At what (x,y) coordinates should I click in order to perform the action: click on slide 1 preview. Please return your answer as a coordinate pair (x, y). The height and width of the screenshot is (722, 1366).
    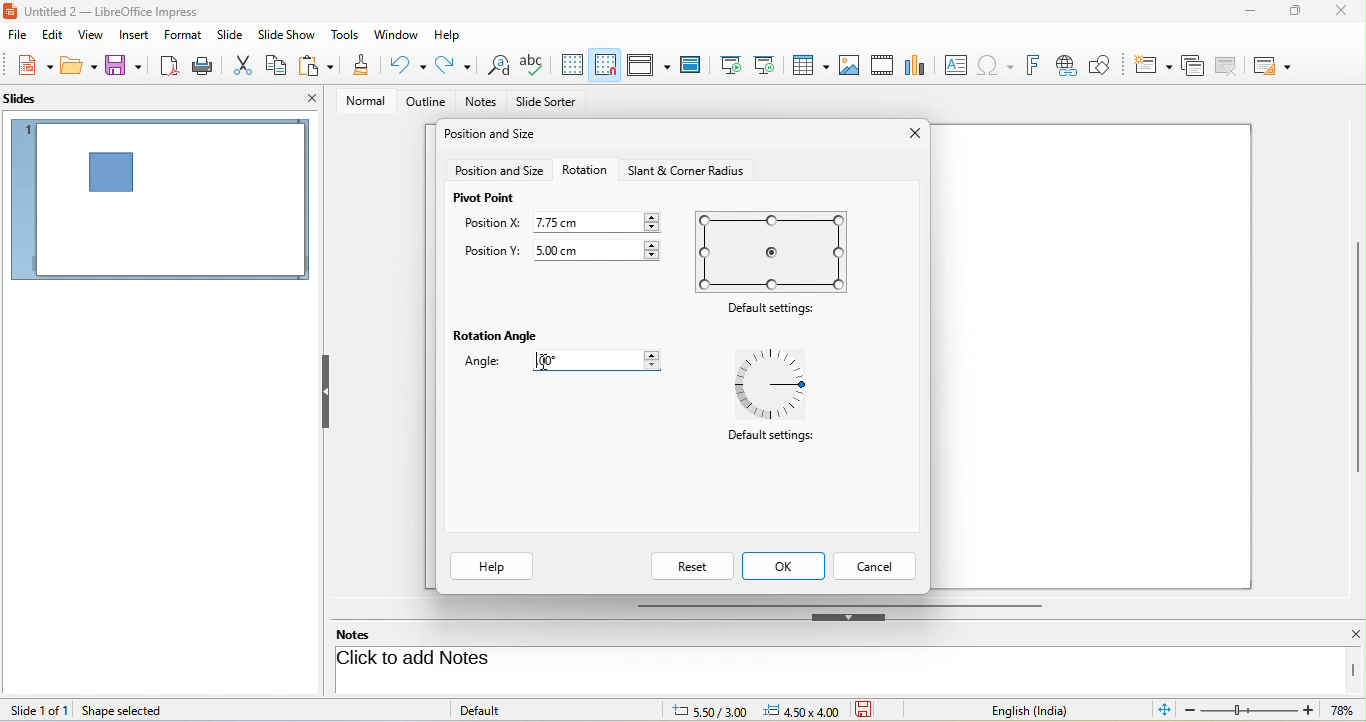
    Looking at the image, I should click on (160, 207).